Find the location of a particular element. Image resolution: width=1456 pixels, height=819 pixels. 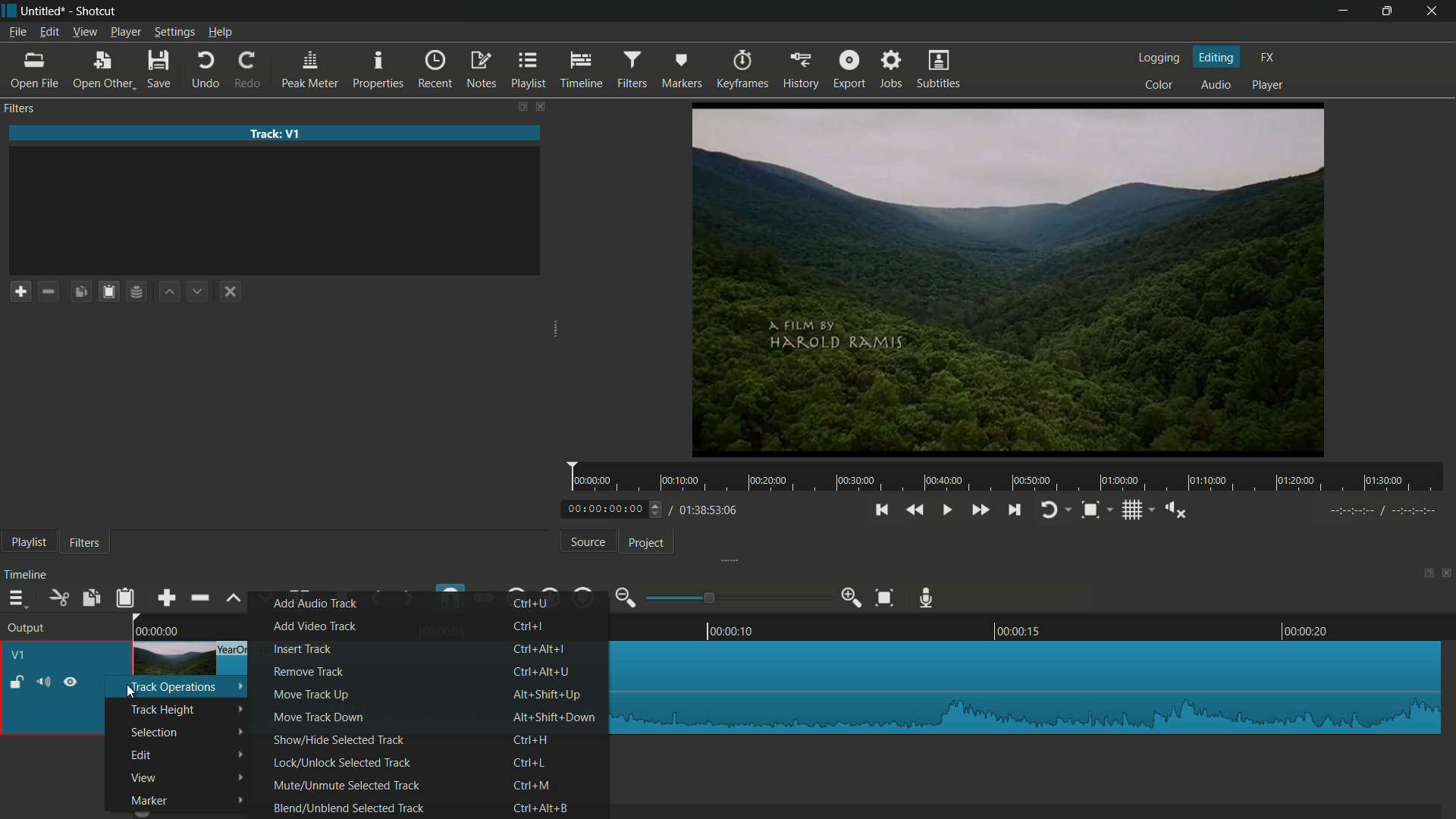

redo is located at coordinates (249, 70).